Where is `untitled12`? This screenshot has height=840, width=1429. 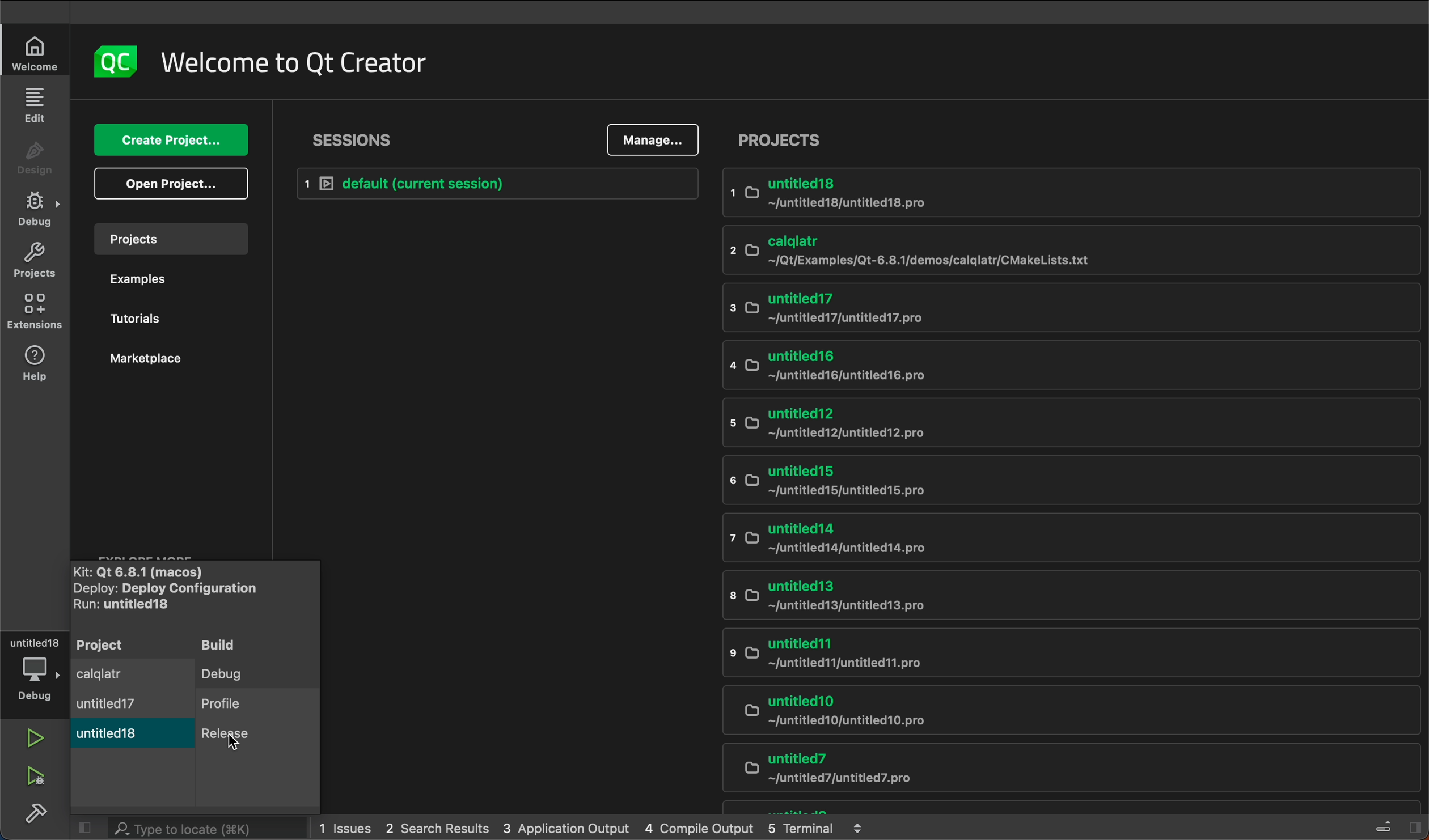 untitled12 is located at coordinates (1017, 422).